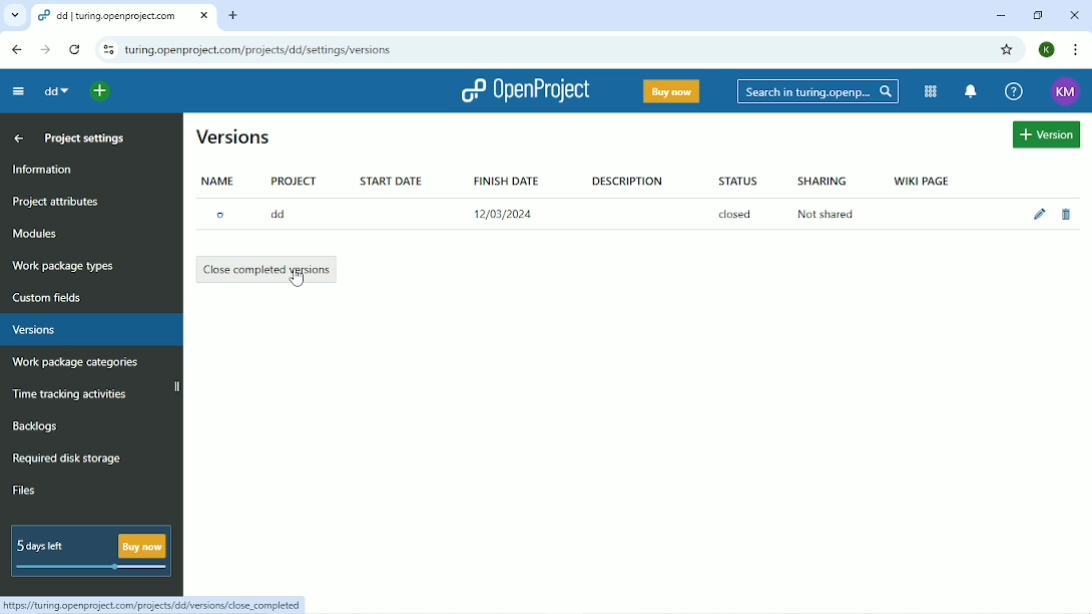 This screenshot has height=614, width=1092. What do you see at coordinates (63, 266) in the screenshot?
I see `Work package types` at bounding box center [63, 266].